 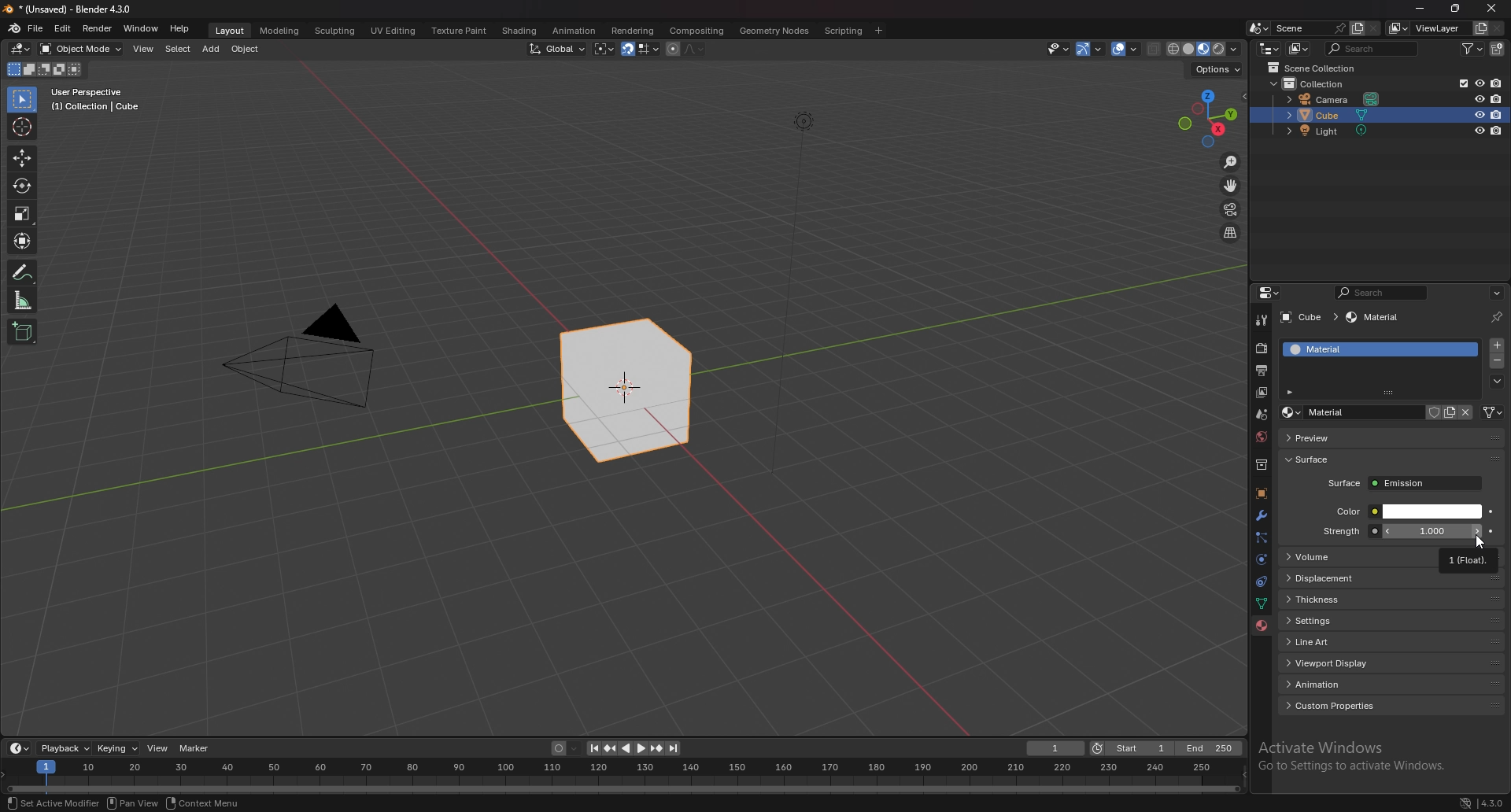 I want to click on material, so click(x=1376, y=318).